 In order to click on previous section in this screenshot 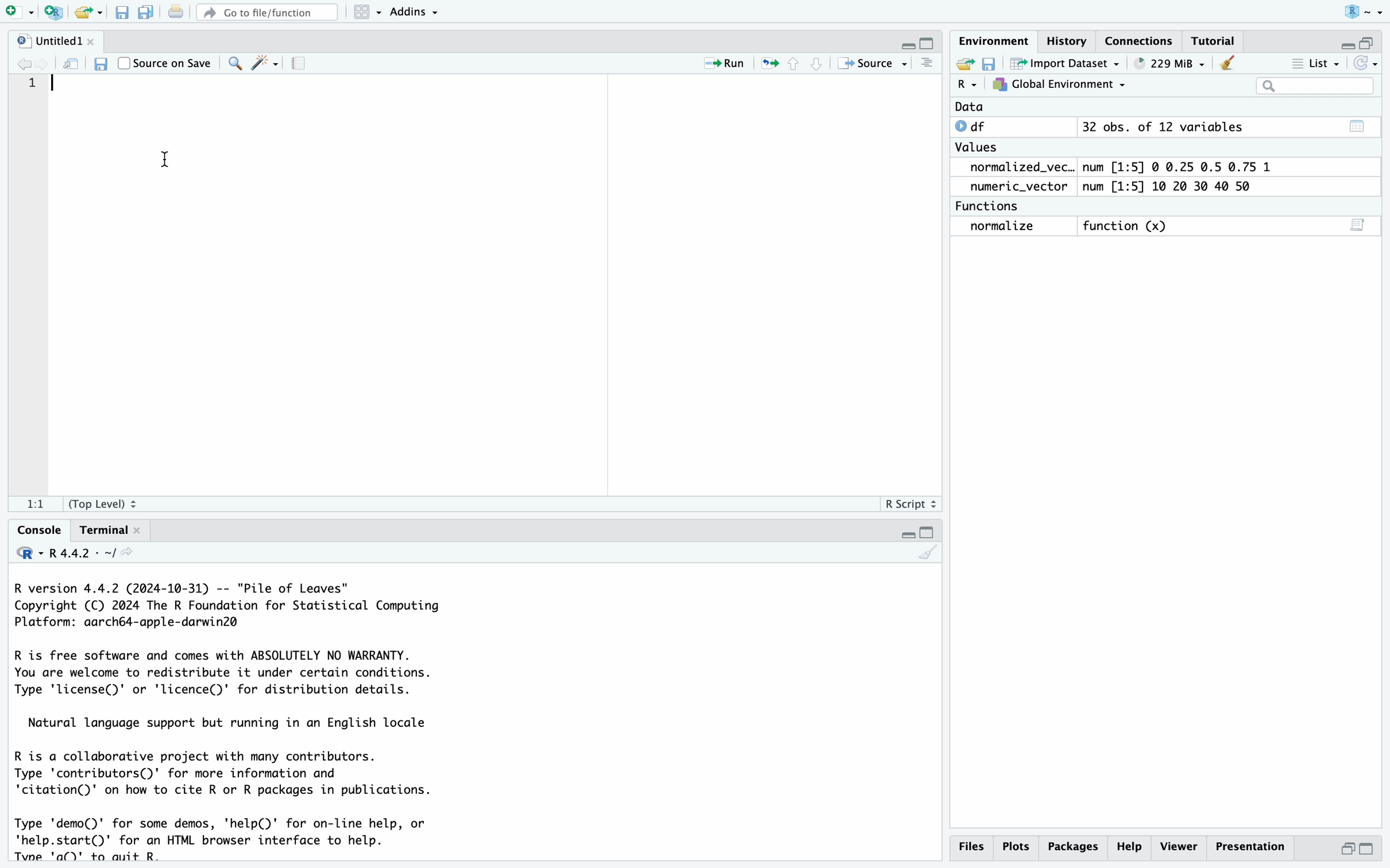, I will do `click(796, 64)`.